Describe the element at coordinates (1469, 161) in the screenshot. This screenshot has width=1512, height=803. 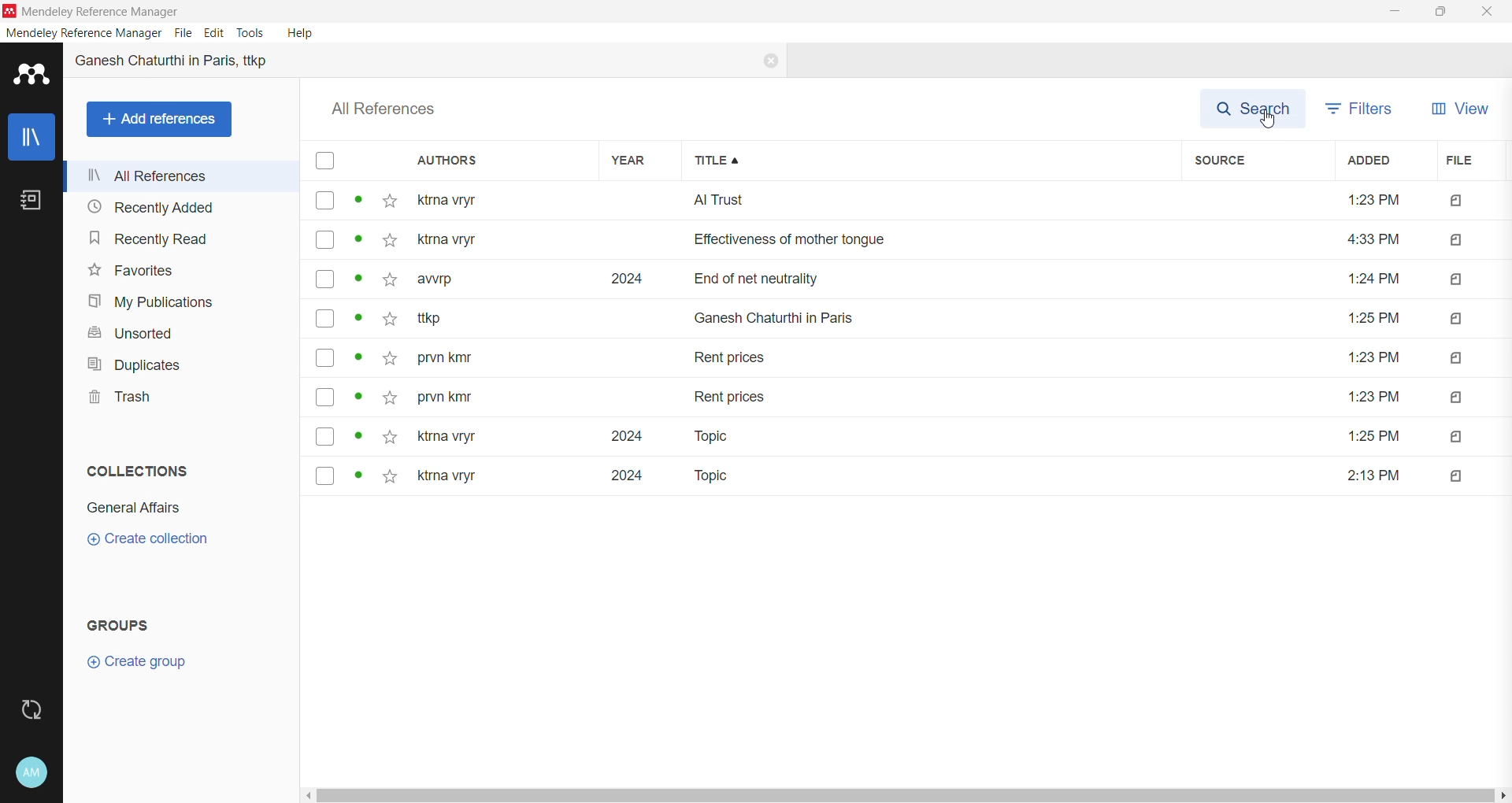
I see `File` at that location.